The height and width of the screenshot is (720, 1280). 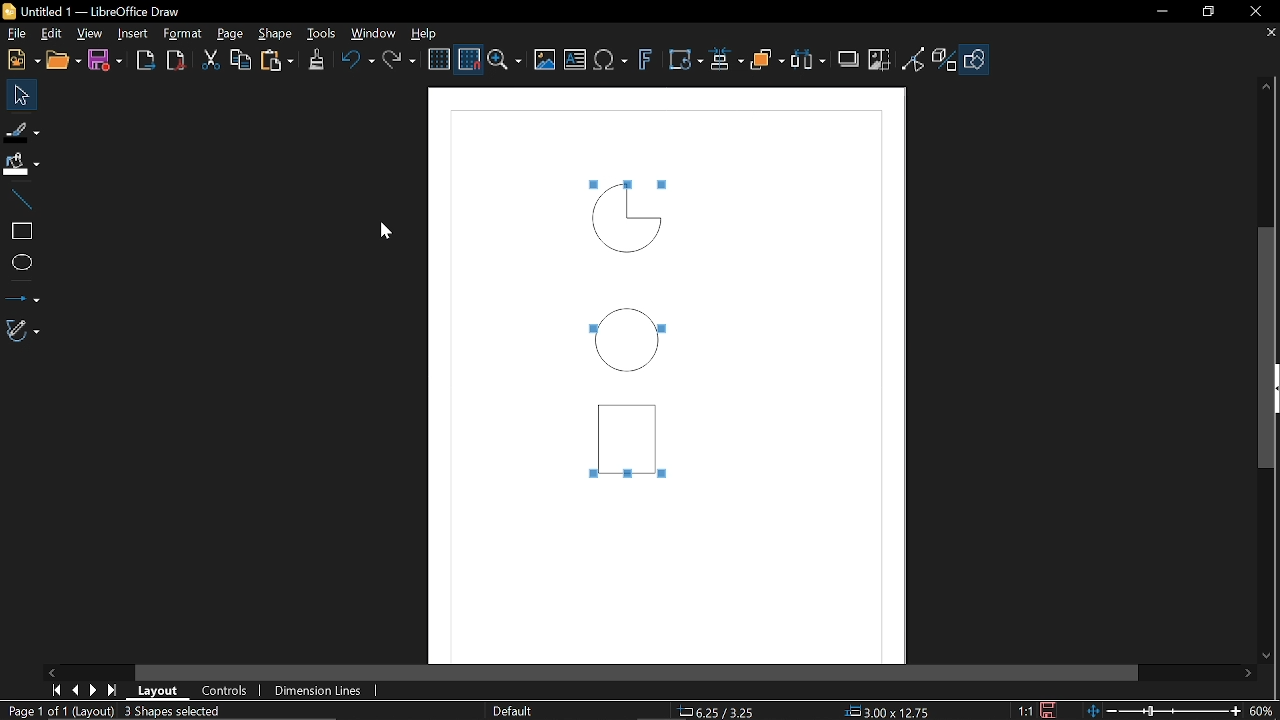 What do you see at coordinates (90, 32) in the screenshot?
I see `View` at bounding box center [90, 32].